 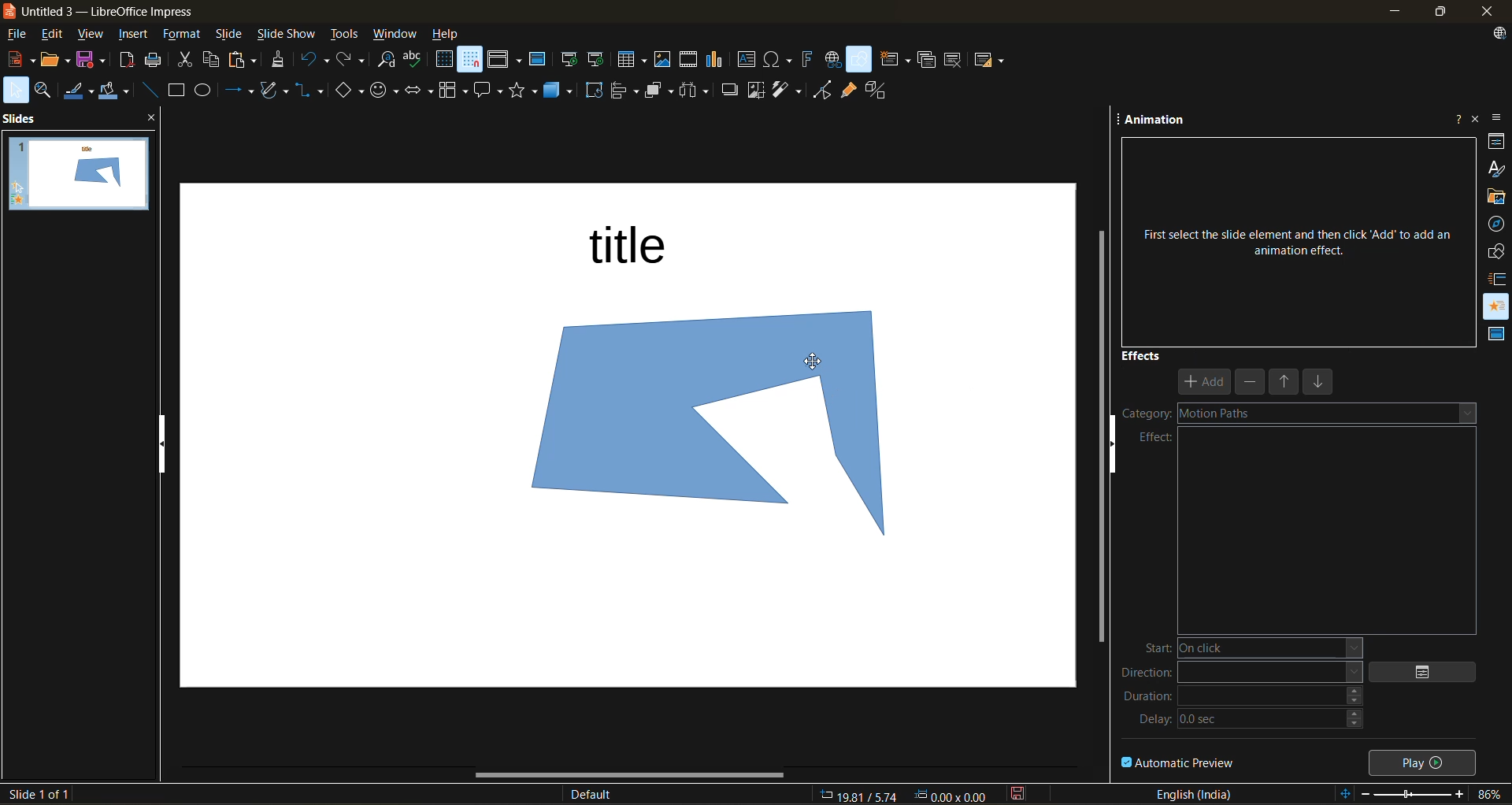 What do you see at coordinates (1426, 672) in the screenshot?
I see `options` at bounding box center [1426, 672].